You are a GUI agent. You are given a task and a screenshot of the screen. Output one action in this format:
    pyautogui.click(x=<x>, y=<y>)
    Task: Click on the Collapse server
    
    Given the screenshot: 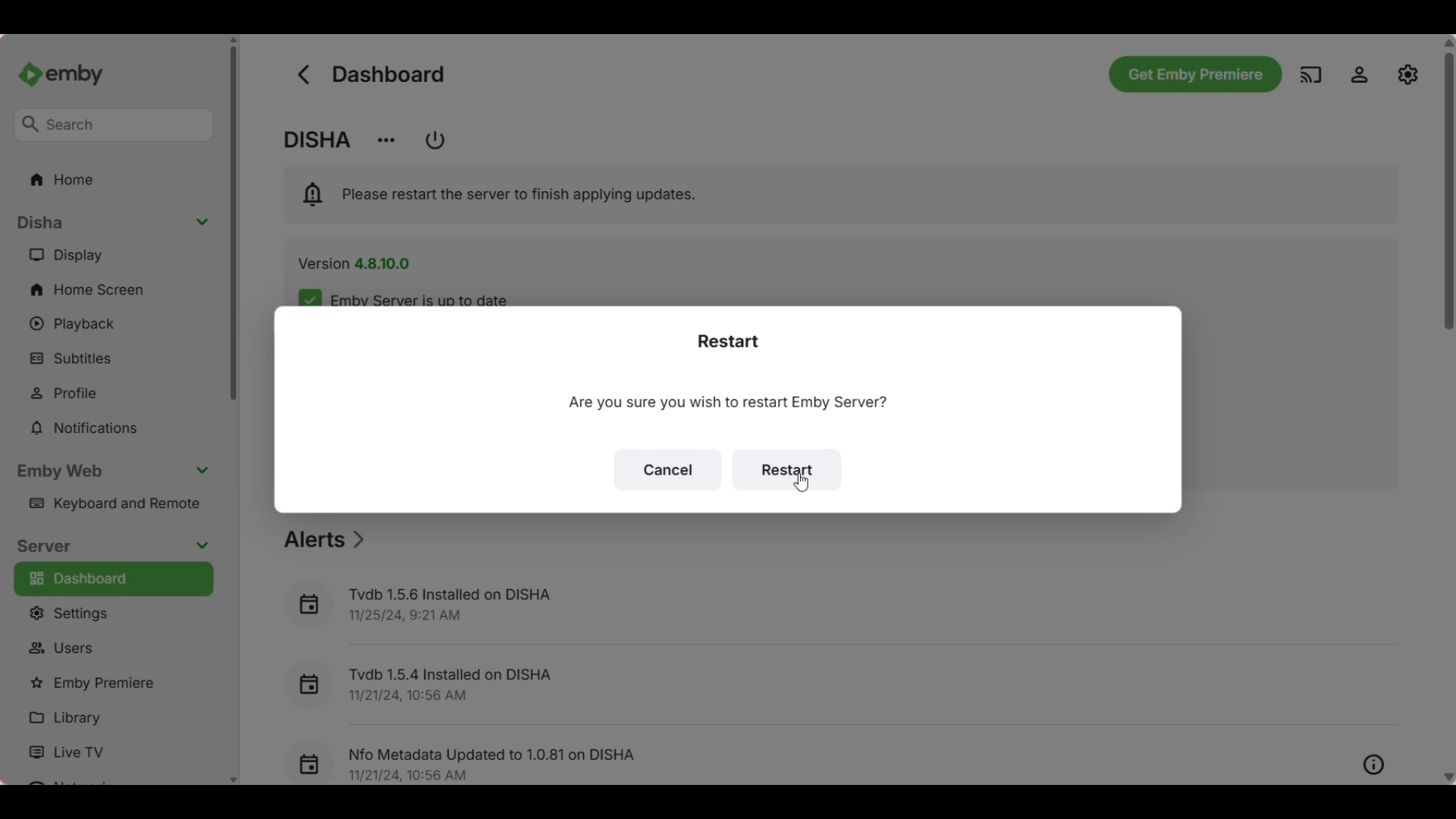 What is the action you would take?
    pyautogui.click(x=111, y=547)
    